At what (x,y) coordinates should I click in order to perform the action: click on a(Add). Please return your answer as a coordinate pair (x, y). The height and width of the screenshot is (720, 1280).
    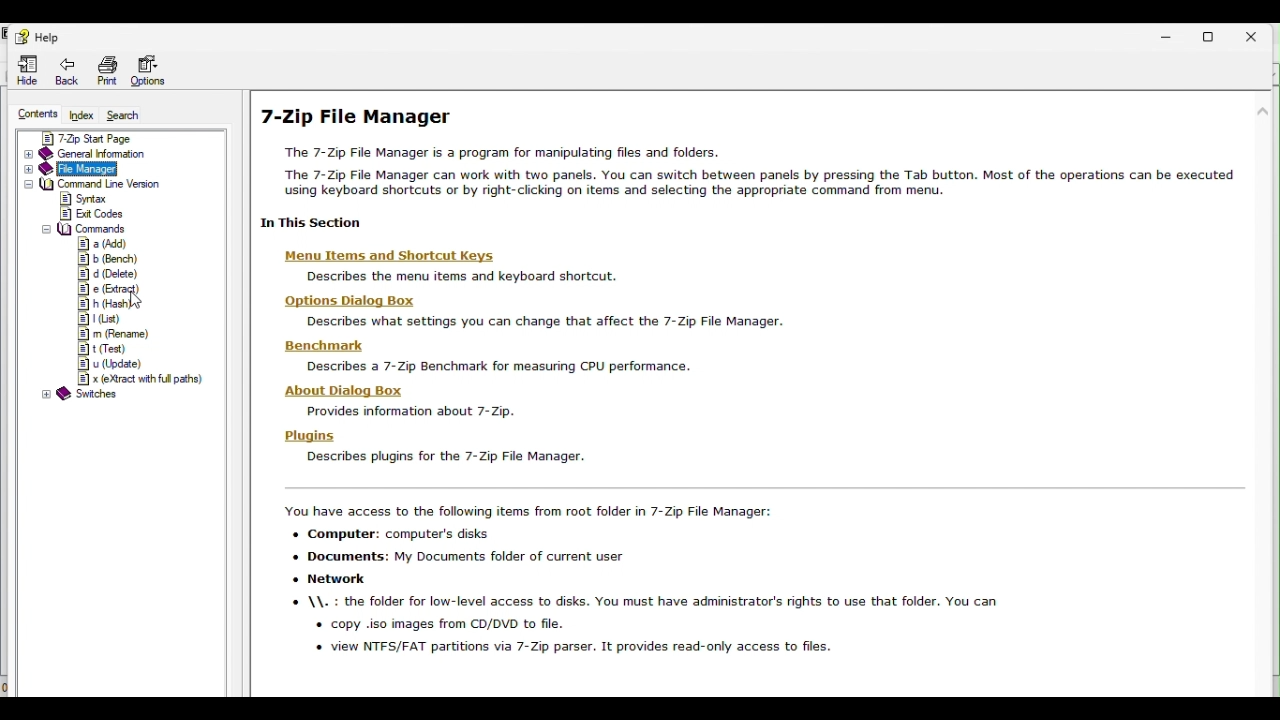
    Looking at the image, I should click on (102, 244).